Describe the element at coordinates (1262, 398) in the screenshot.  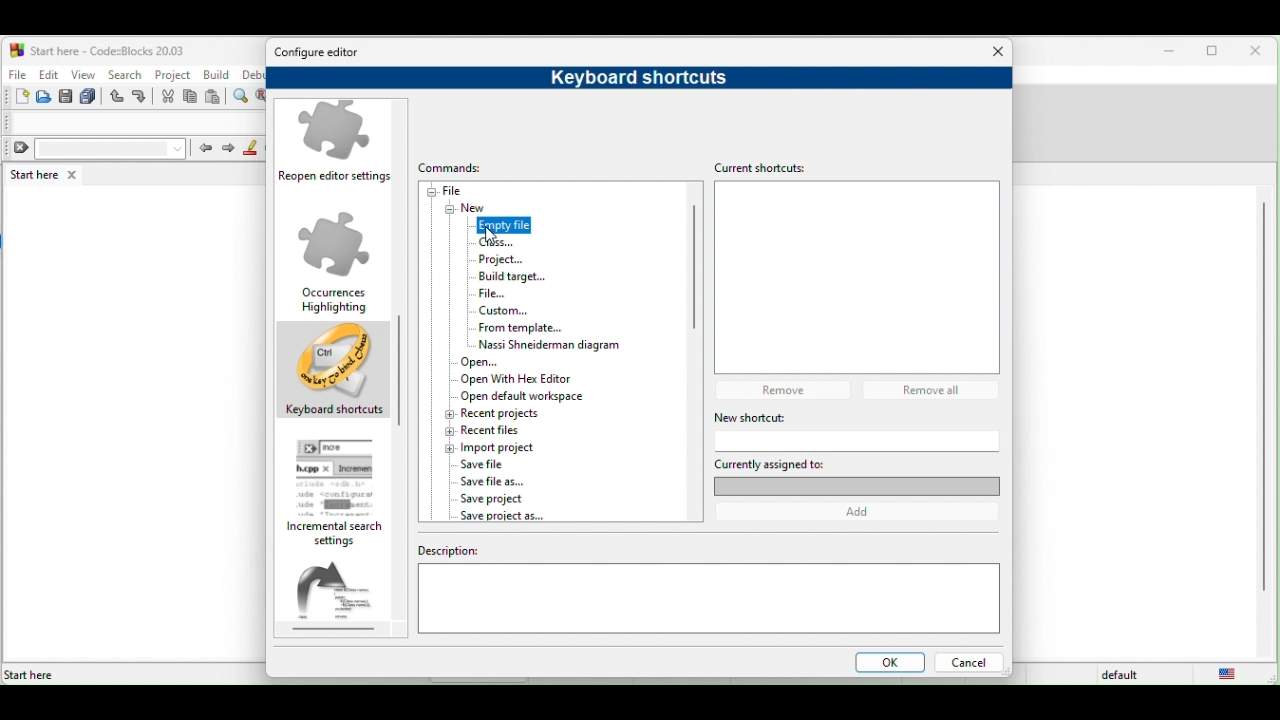
I see `vertical scroll bar` at that location.